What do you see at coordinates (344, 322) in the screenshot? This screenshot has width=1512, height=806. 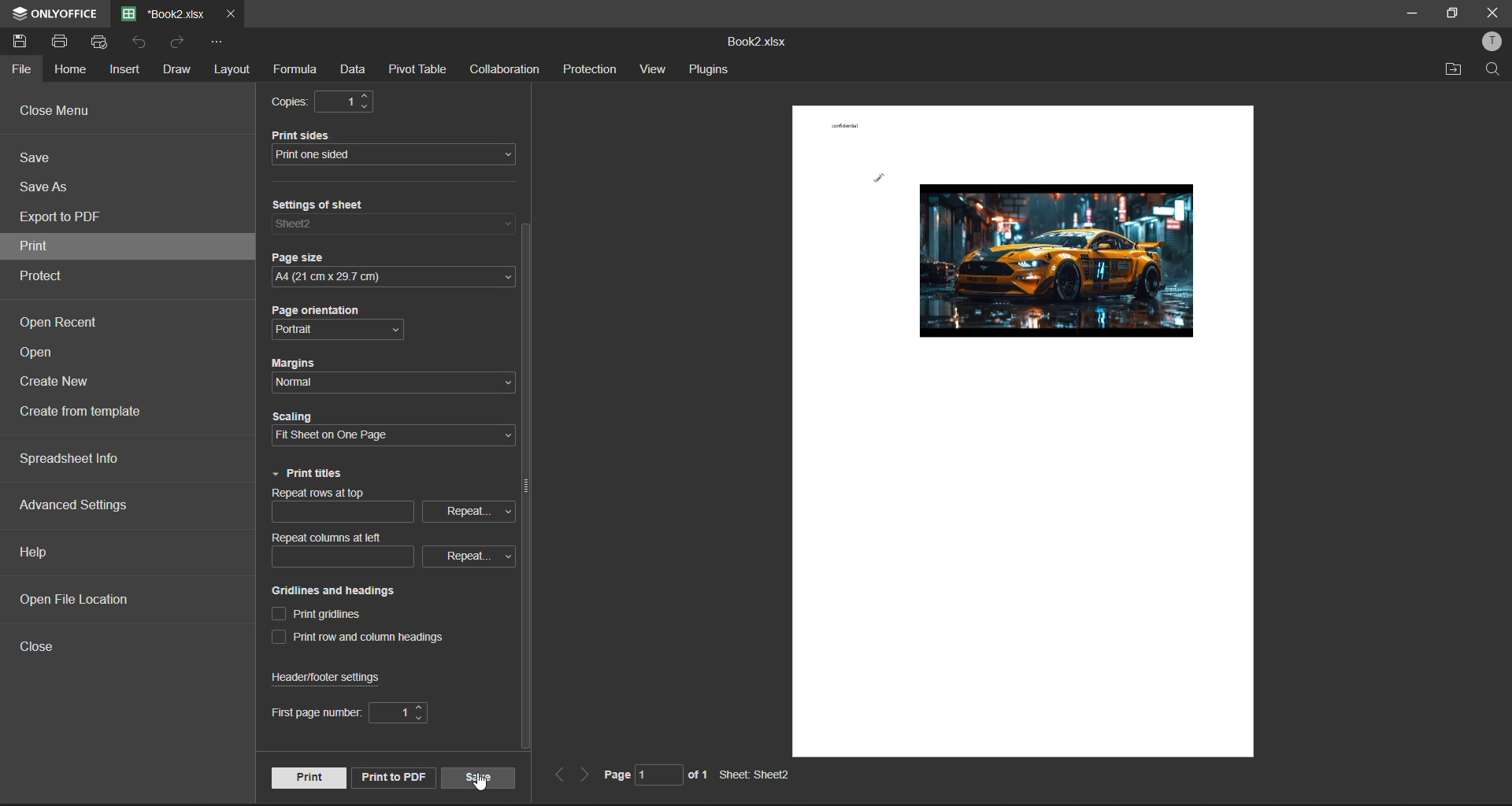 I see `page orientation` at bounding box center [344, 322].